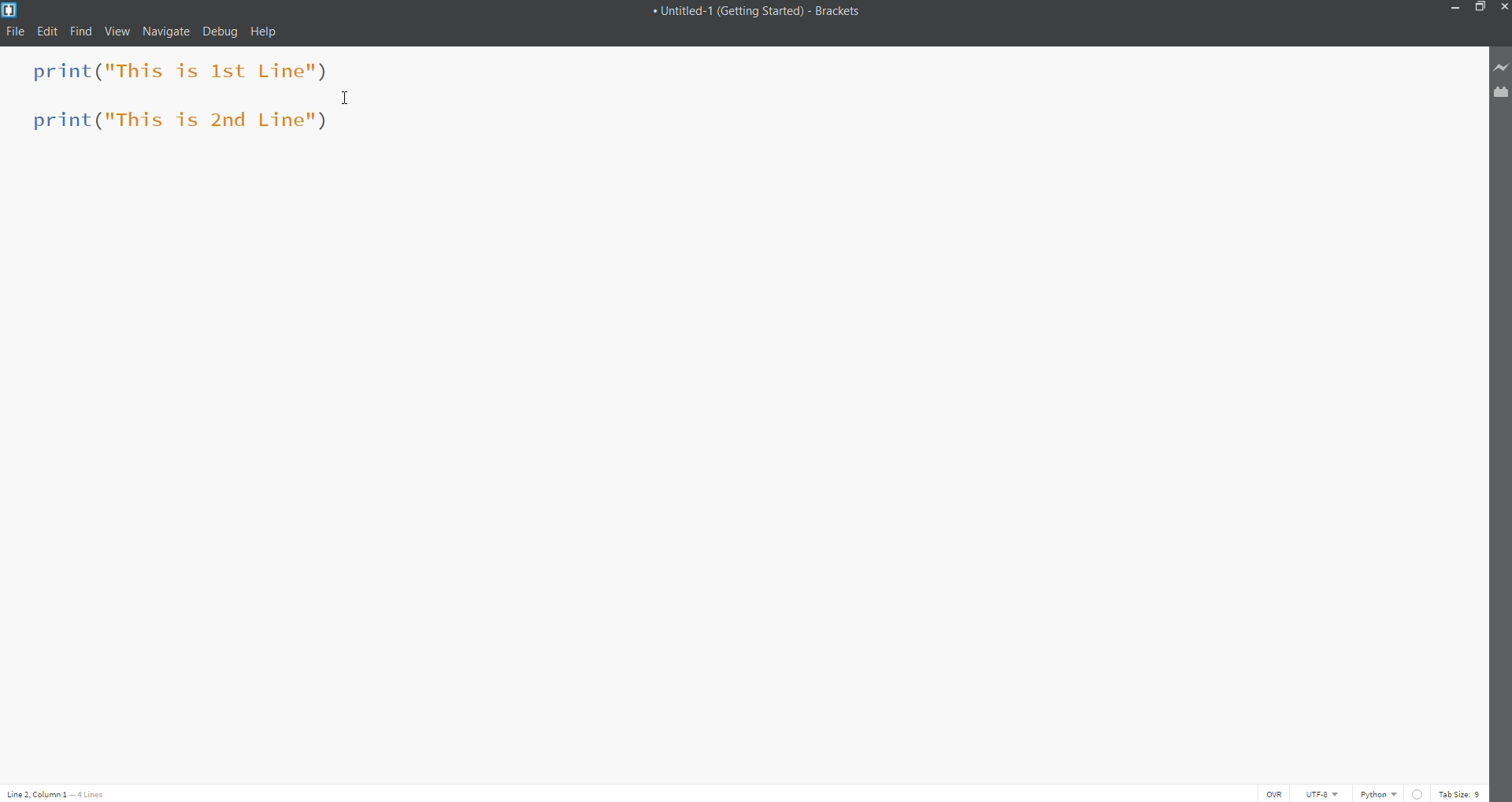 This screenshot has width=1512, height=802. Describe the element at coordinates (1416, 793) in the screenshot. I see `Linting is disabled` at that location.